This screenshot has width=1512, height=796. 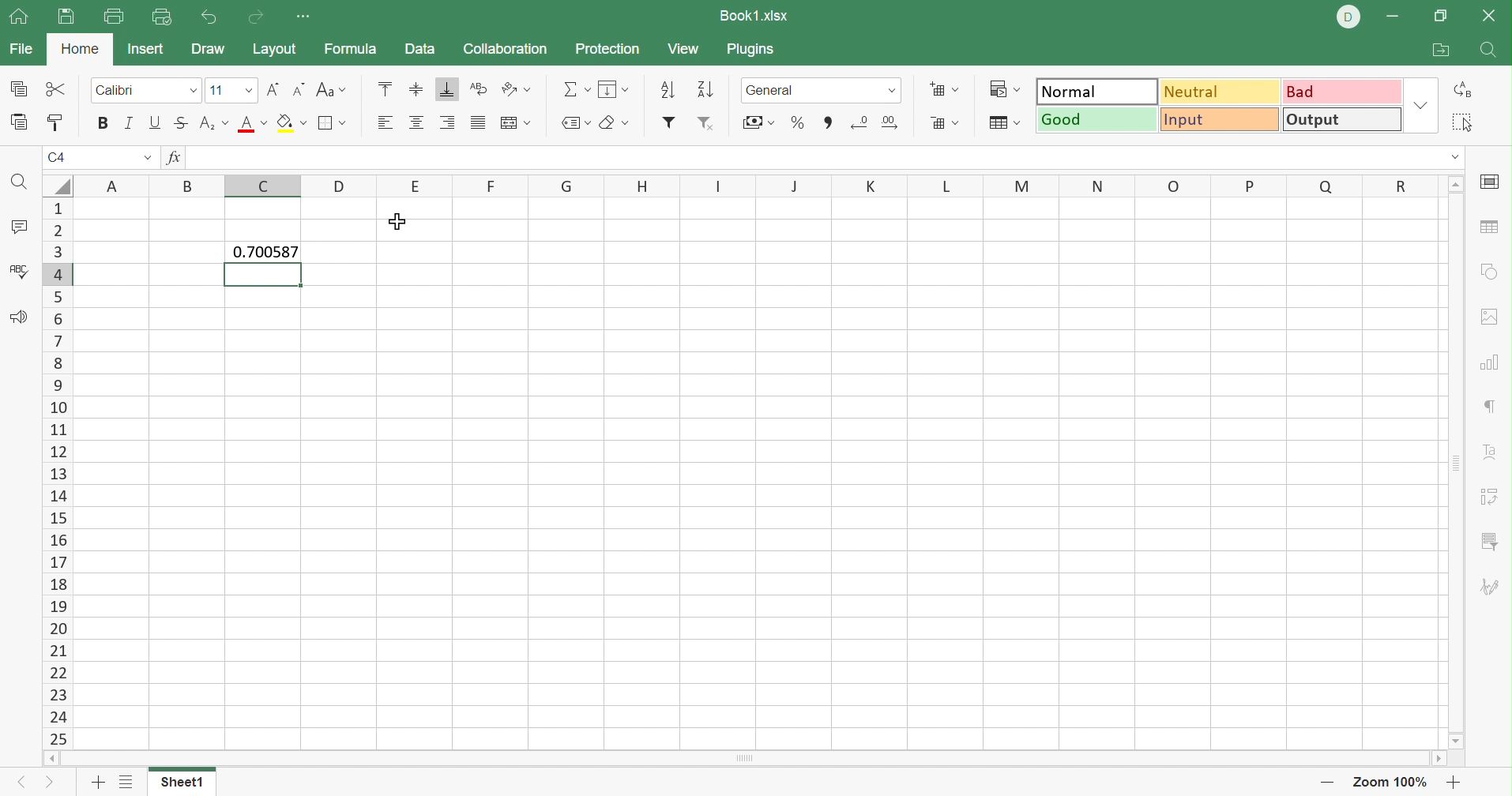 I want to click on Merge and center, so click(x=517, y=124).